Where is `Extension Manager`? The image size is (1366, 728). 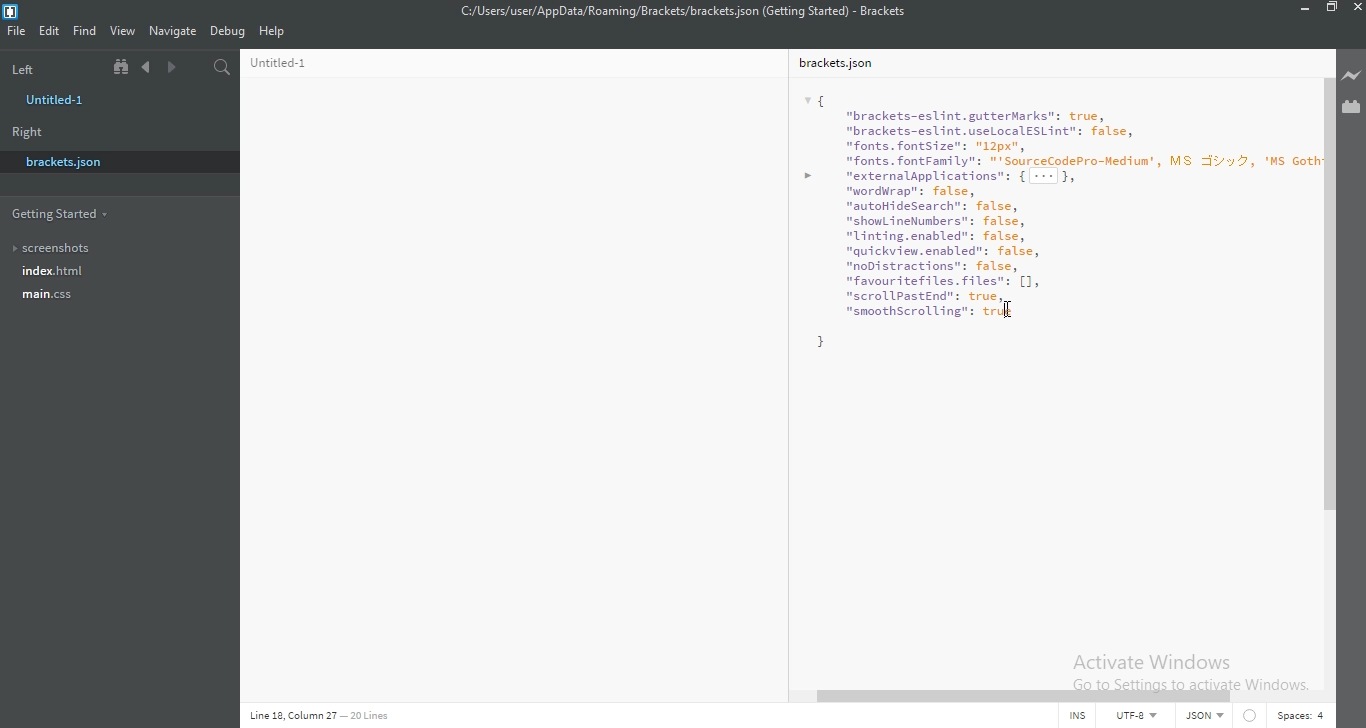
Extension Manager is located at coordinates (1352, 107).